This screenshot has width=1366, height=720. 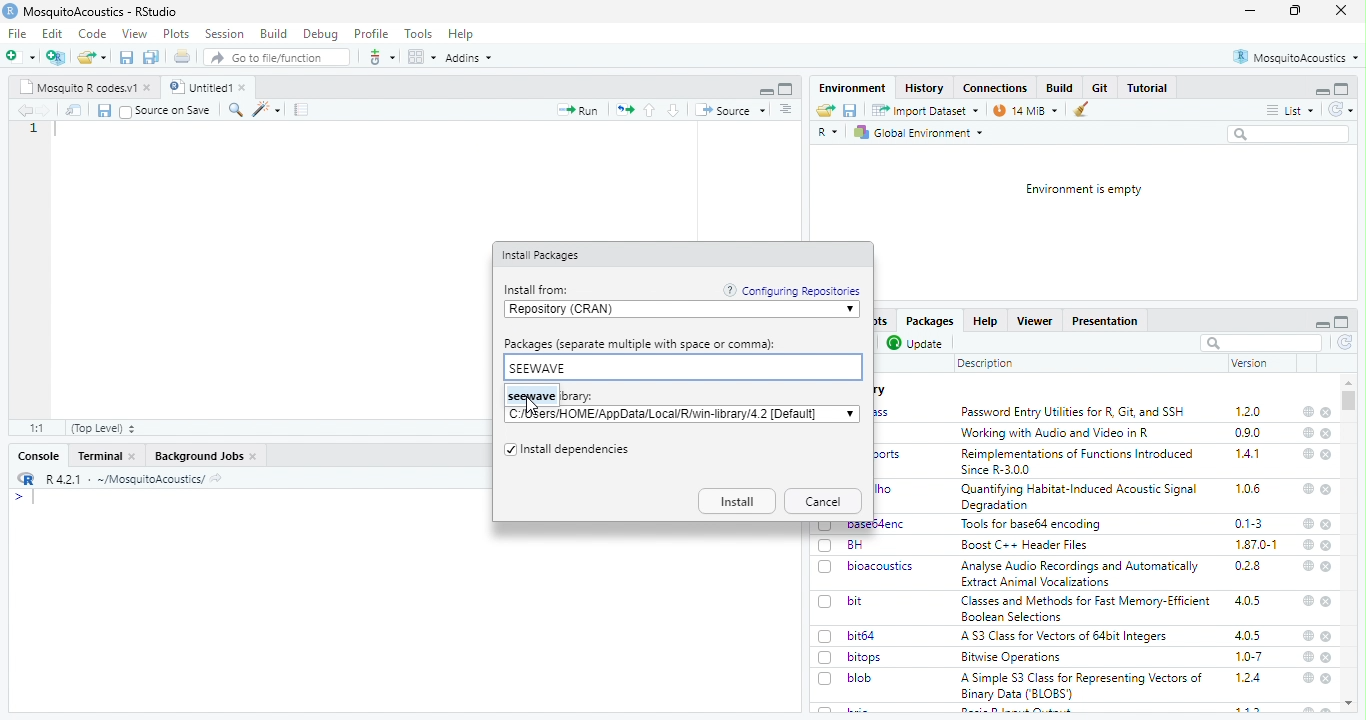 What do you see at coordinates (624, 111) in the screenshot?
I see `icon` at bounding box center [624, 111].